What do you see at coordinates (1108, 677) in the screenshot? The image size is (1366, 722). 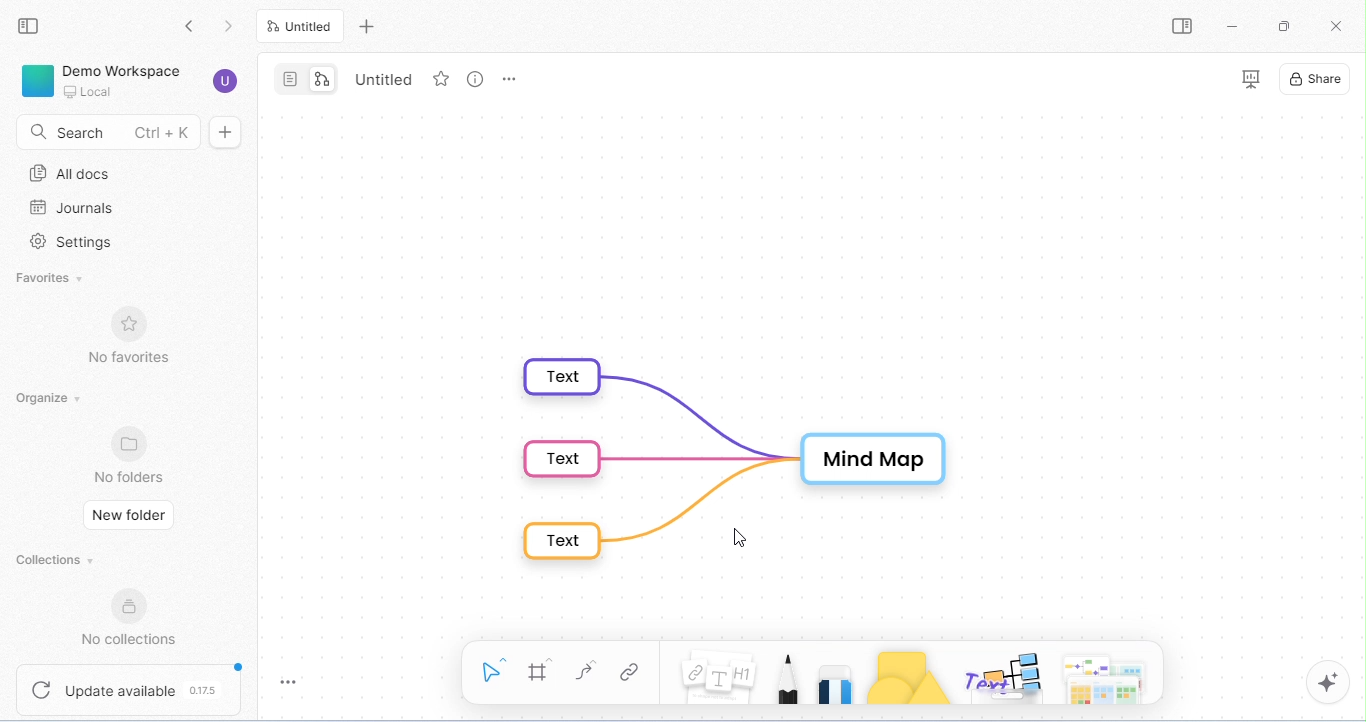 I see `Arrows, Cheeky piggles, paper and more` at bounding box center [1108, 677].